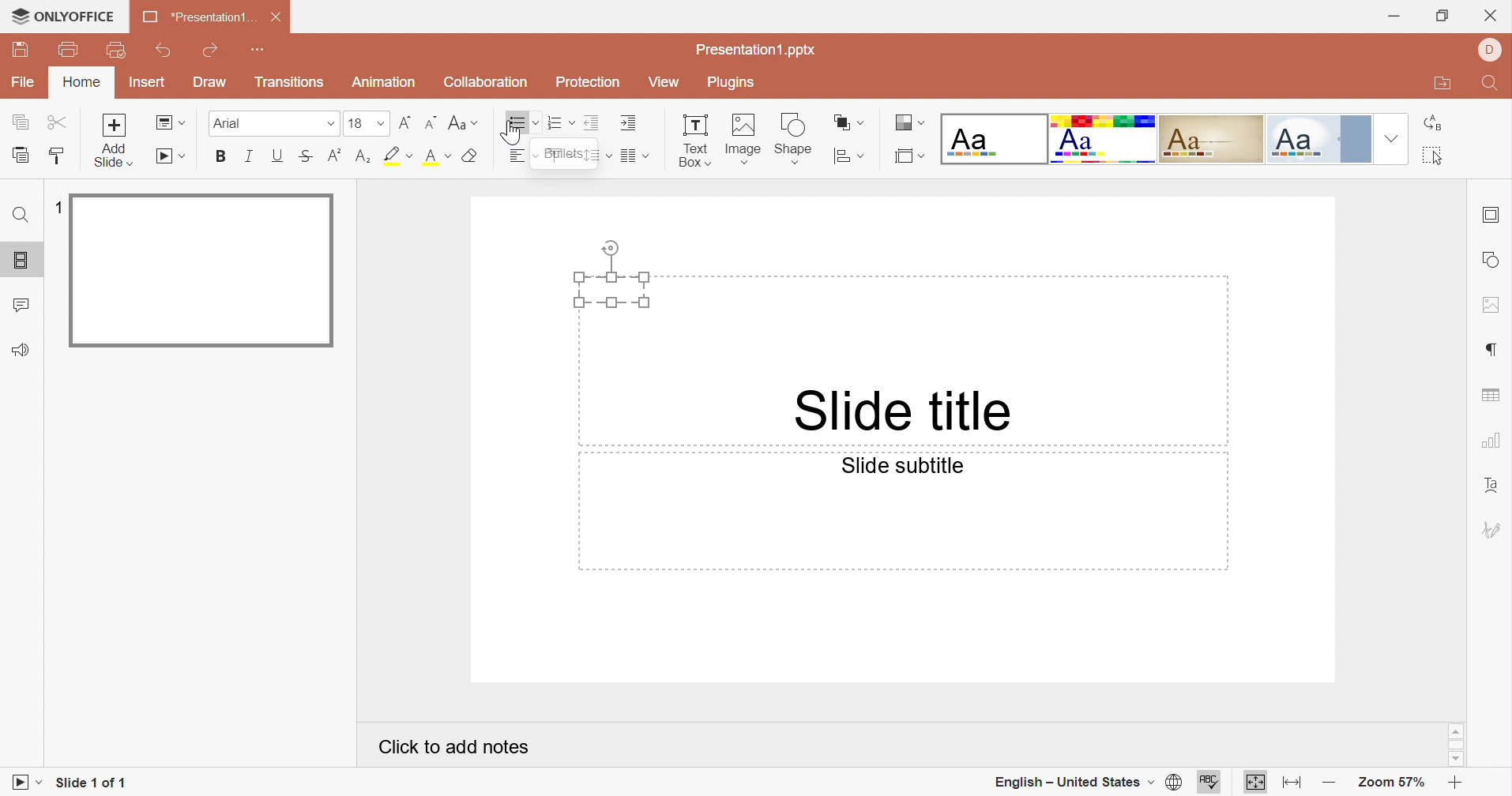 The height and width of the screenshot is (796, 1512). Describe the element at coordinates (511, 135) in the screenshot. I see `Cursor` at that location.